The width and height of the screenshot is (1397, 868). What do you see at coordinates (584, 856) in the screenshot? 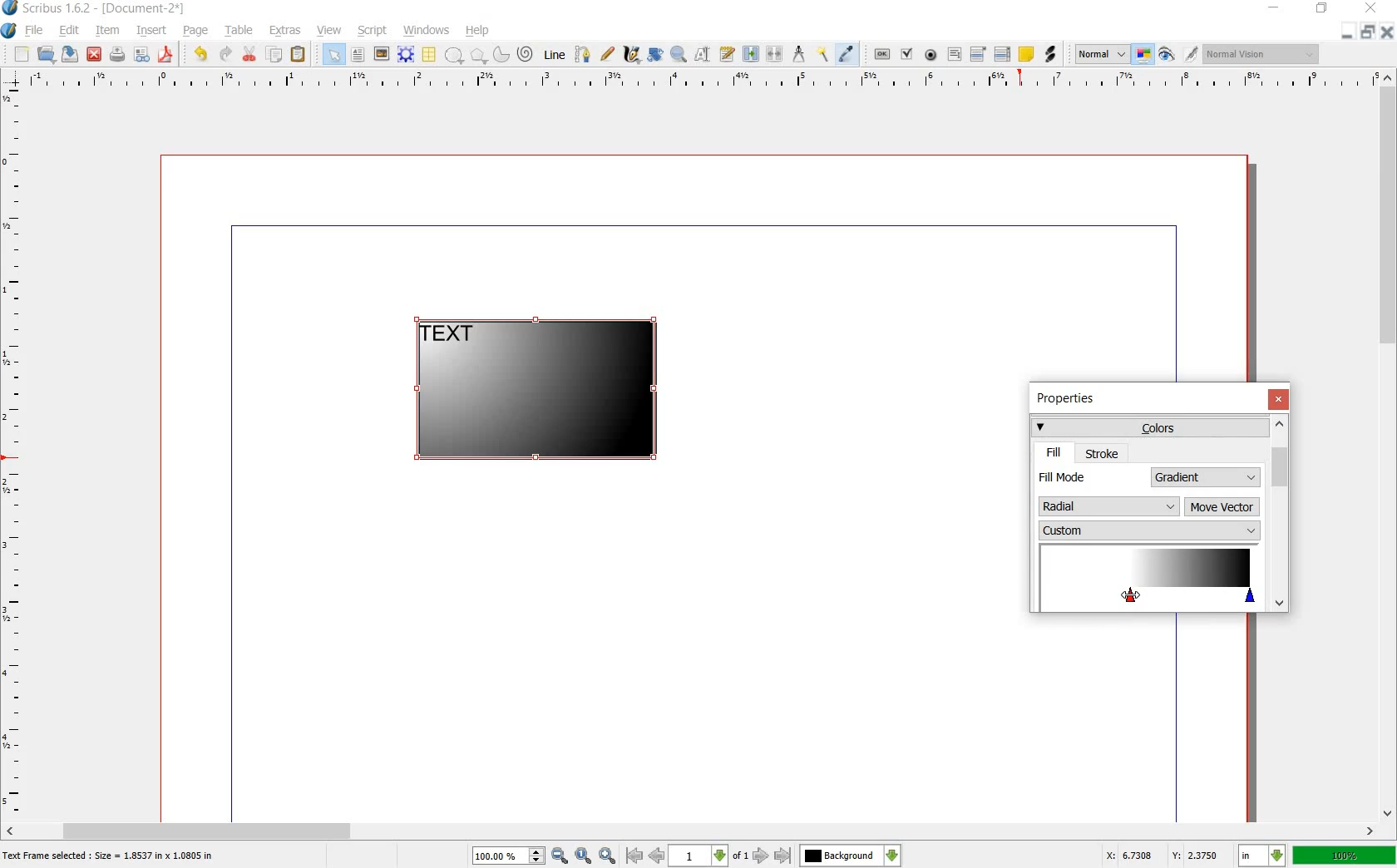
I see `zoom to` at bounding box center [584, 856].